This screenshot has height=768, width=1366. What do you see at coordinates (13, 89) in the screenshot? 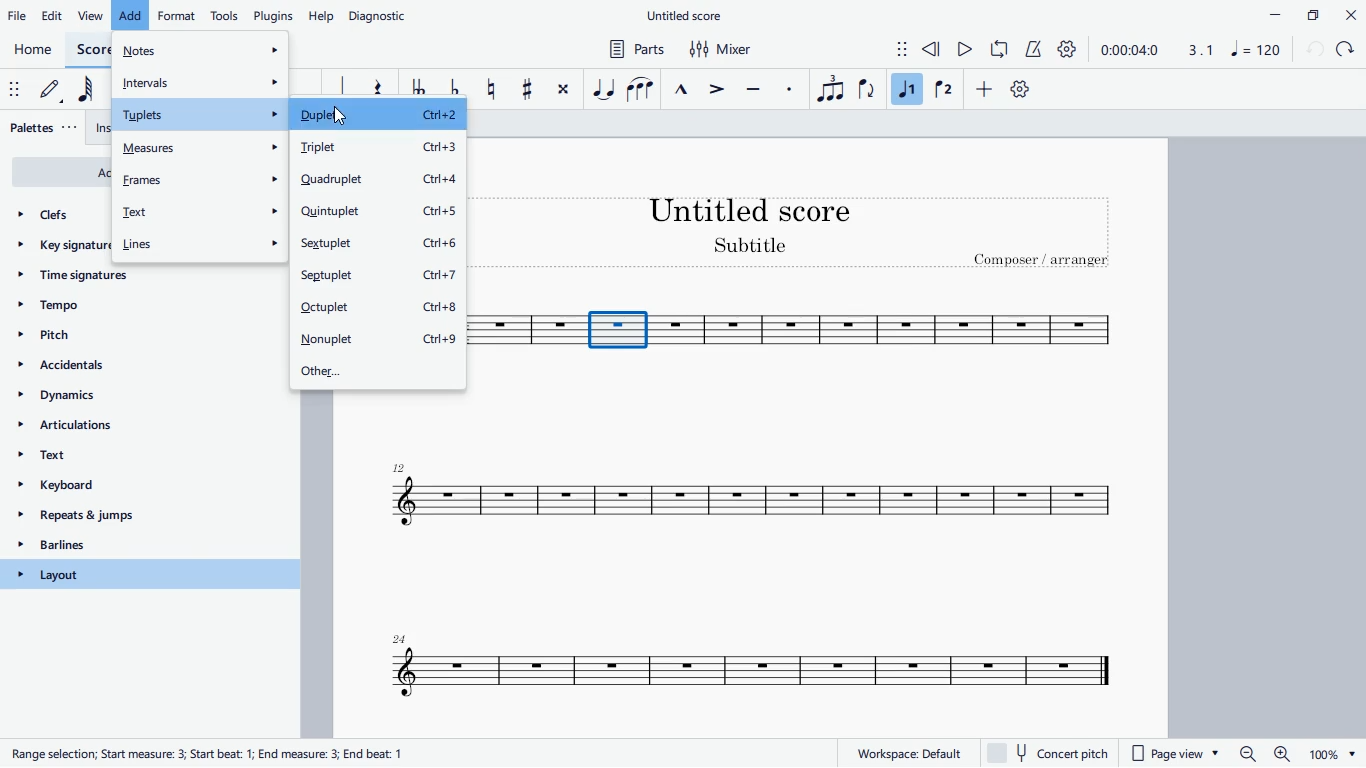
I see `move` at bounding box center [13, 89].